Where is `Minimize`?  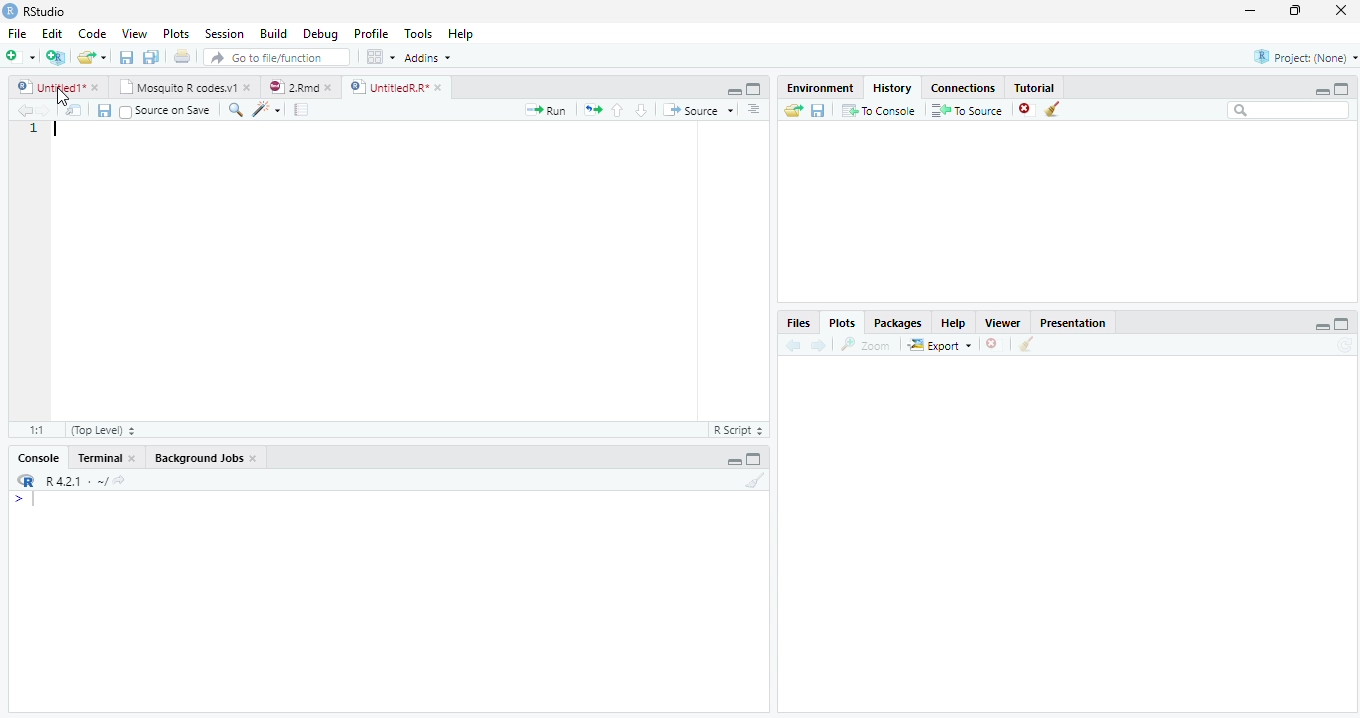
Minimize is located at coordinates (1321, 92).